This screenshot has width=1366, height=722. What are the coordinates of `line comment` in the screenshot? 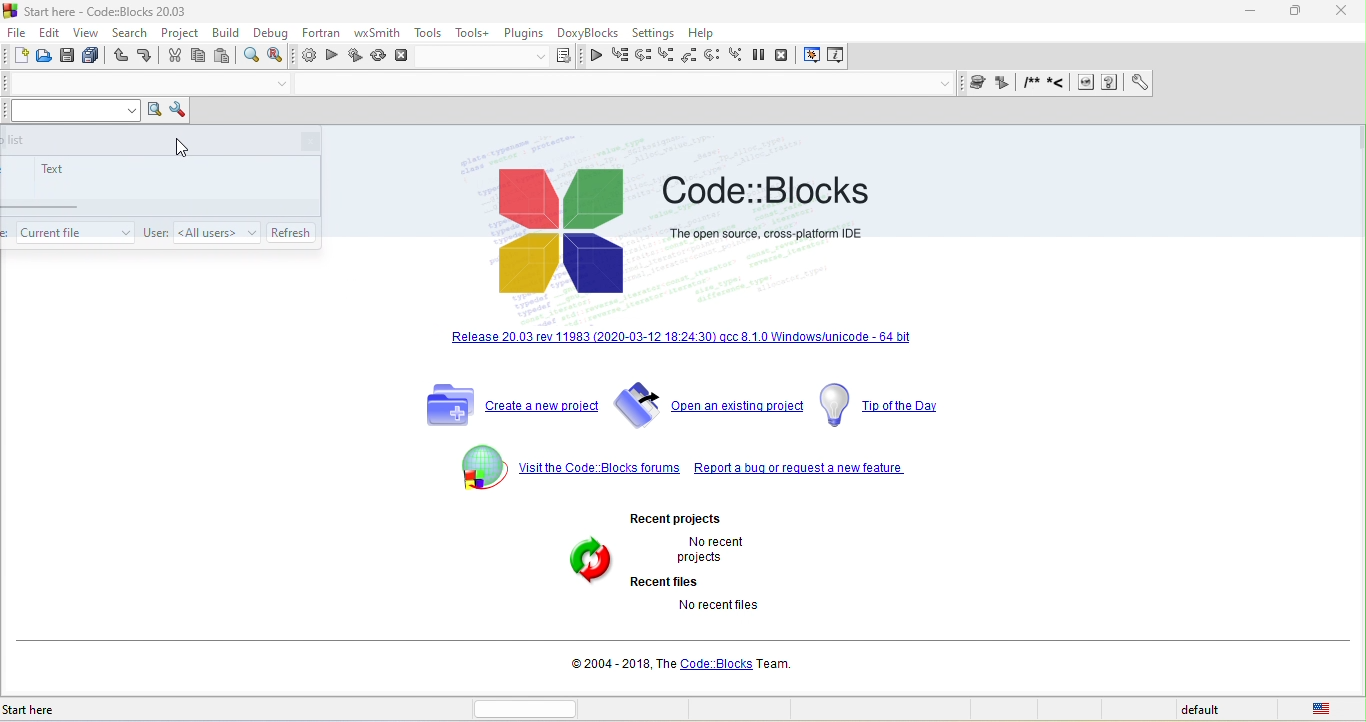 It's located at (1060, 84).